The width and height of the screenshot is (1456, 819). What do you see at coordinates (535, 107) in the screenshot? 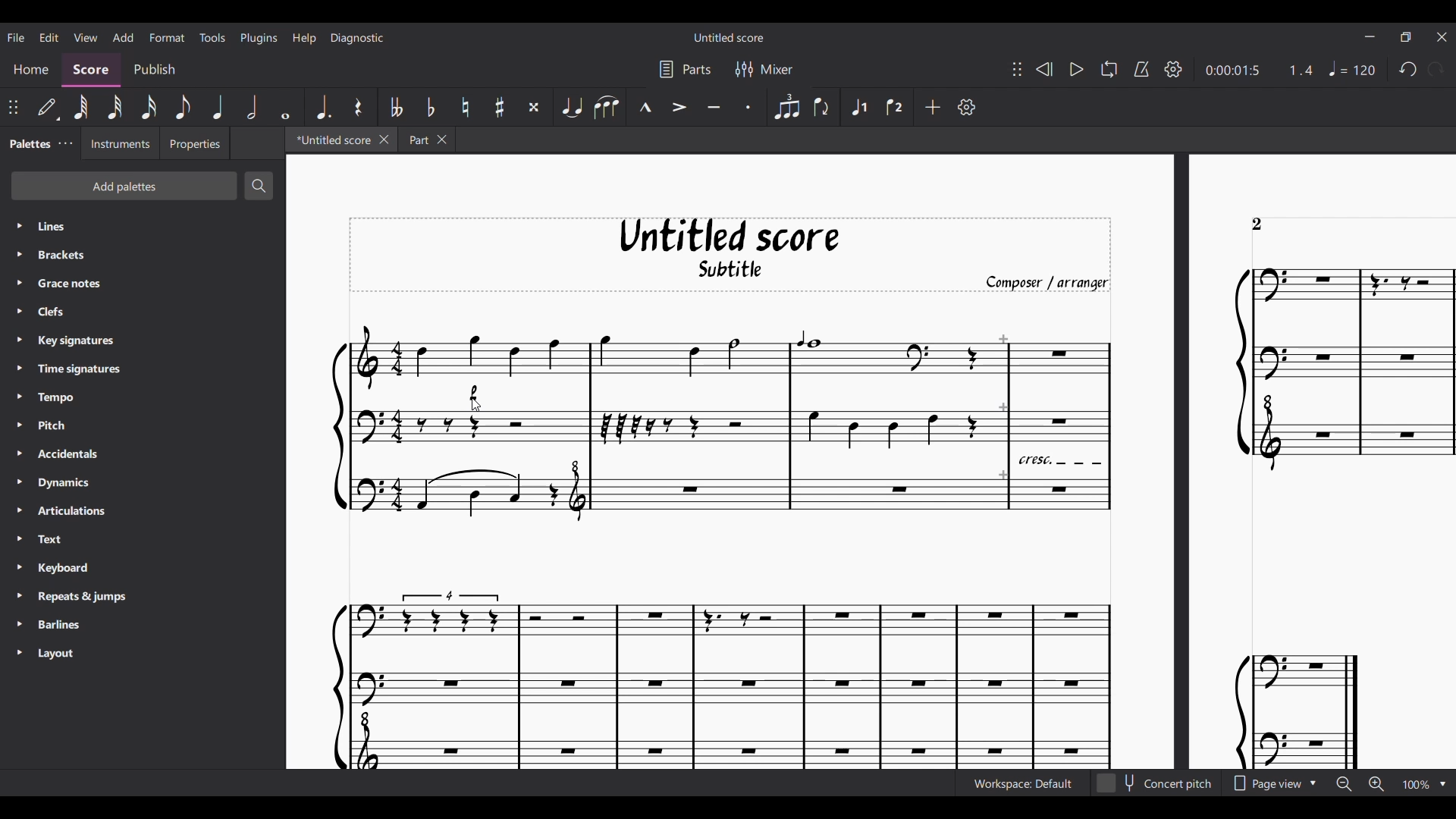
I see `Toggle double sharp` at bounding box center [535, 107].